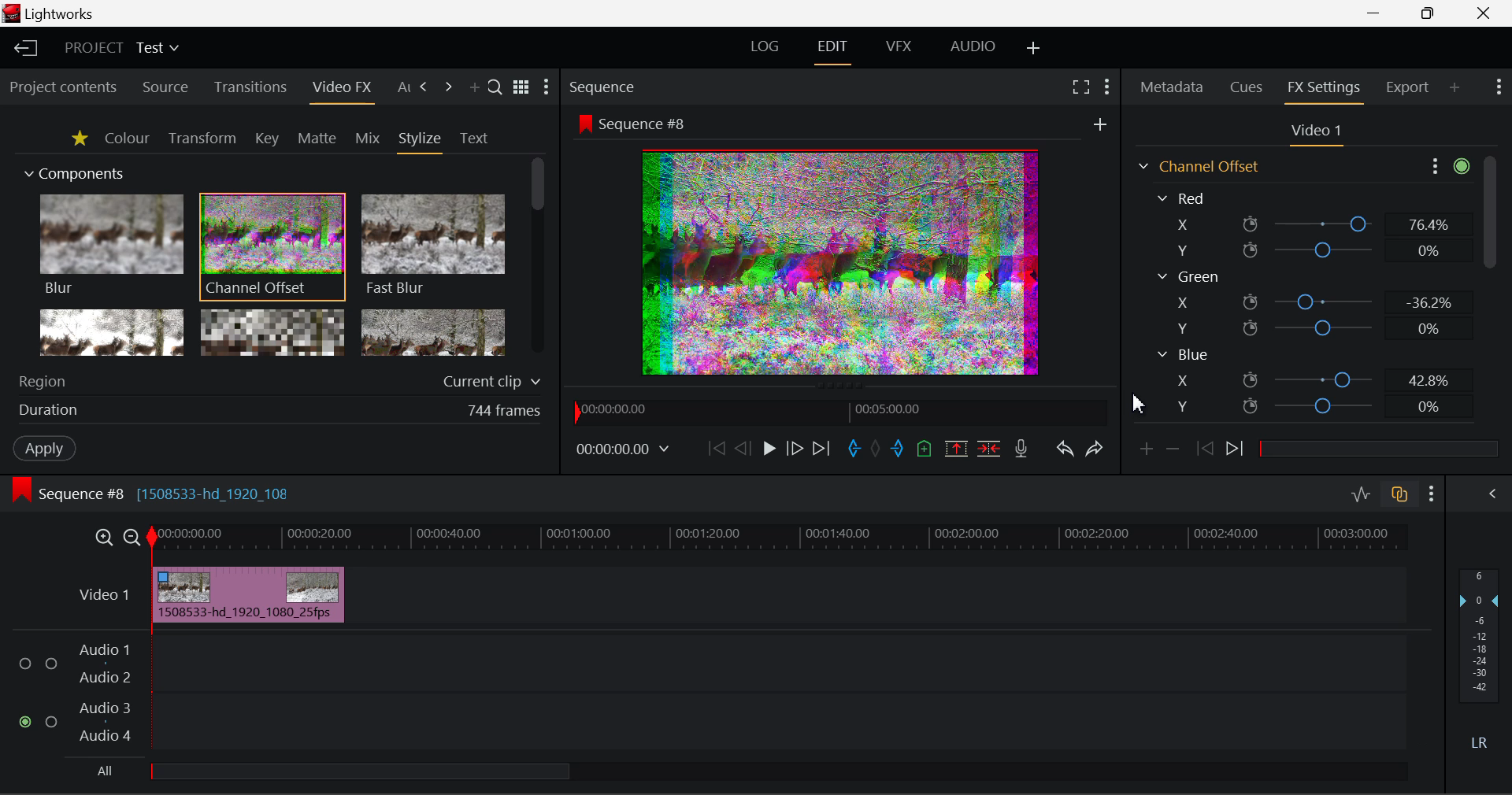 This screenshot has height=795, width=1512. I want to click on Components Section, so click(72, 171).